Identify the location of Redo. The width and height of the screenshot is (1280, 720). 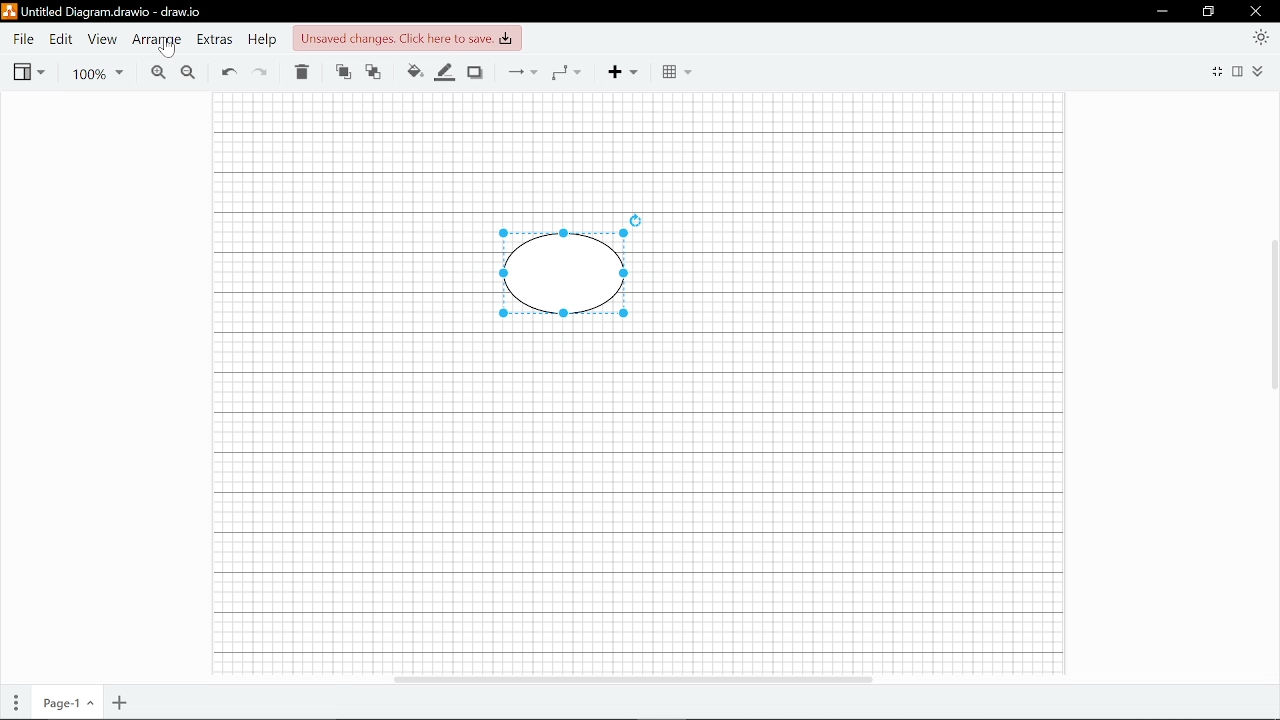
(261, 74).